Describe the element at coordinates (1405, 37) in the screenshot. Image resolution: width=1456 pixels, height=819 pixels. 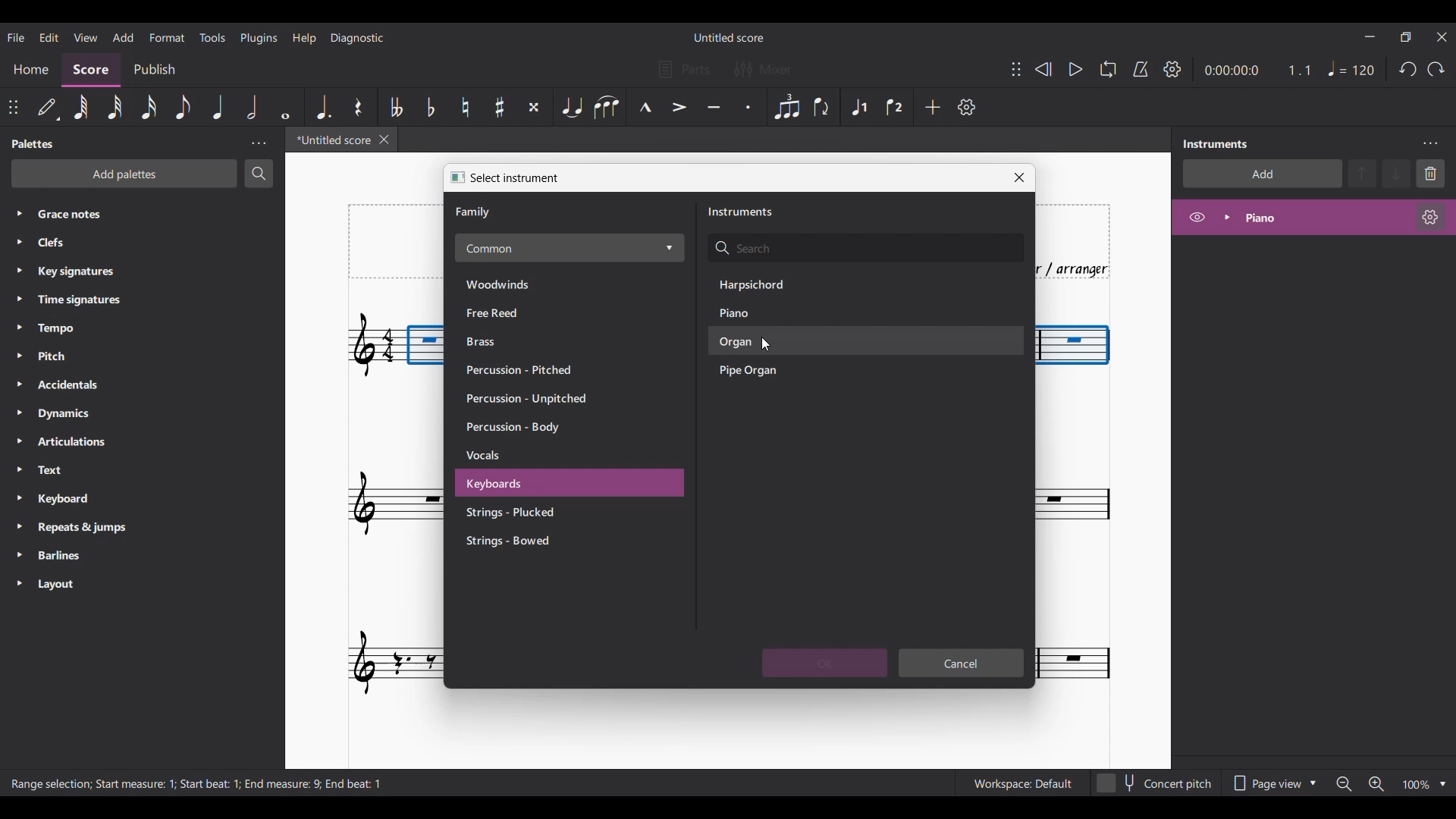
I see `Show in a smaller interface` at that location.